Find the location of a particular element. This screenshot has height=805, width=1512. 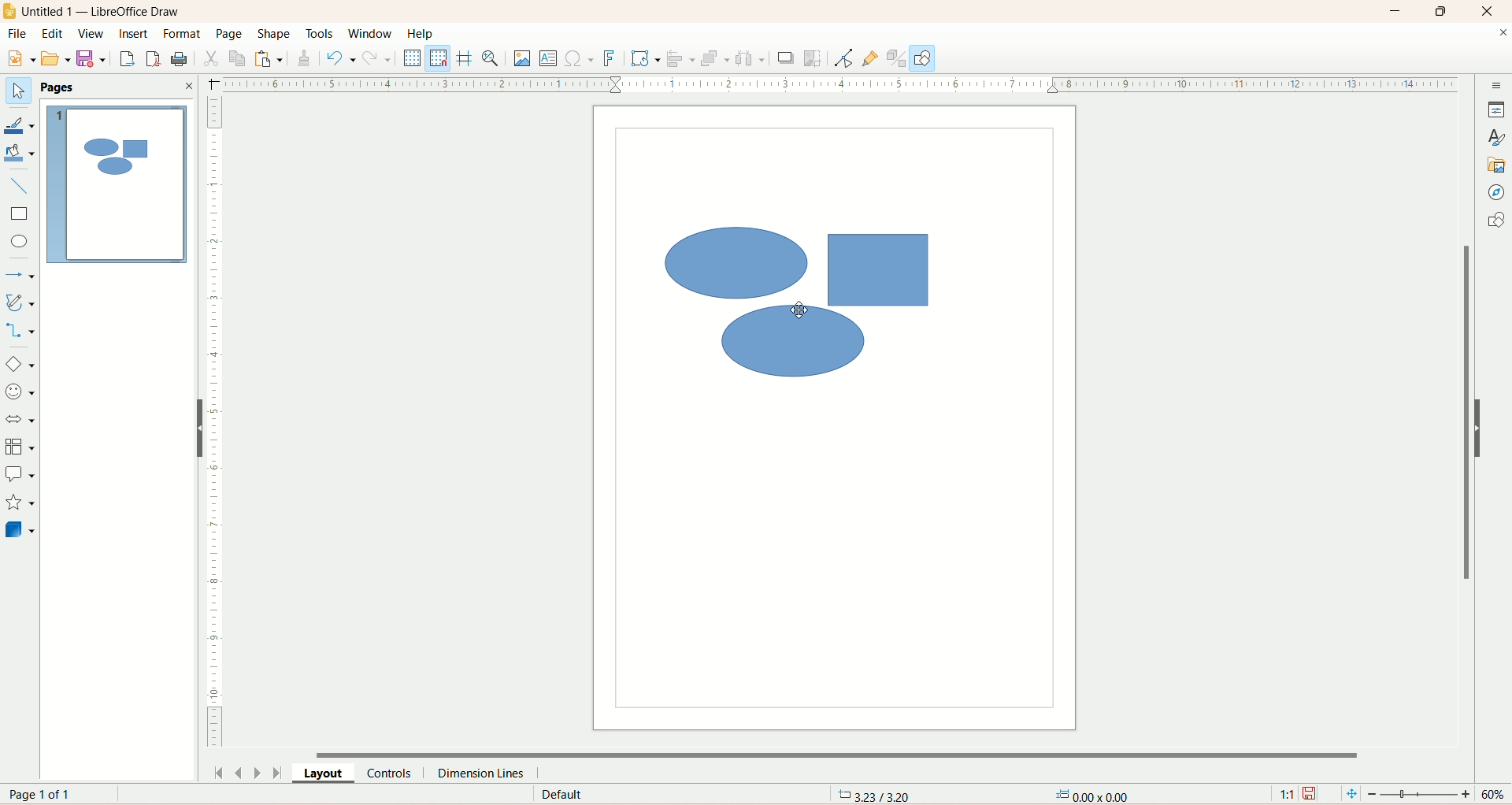

insert text box is located at coordinates (550, 60).